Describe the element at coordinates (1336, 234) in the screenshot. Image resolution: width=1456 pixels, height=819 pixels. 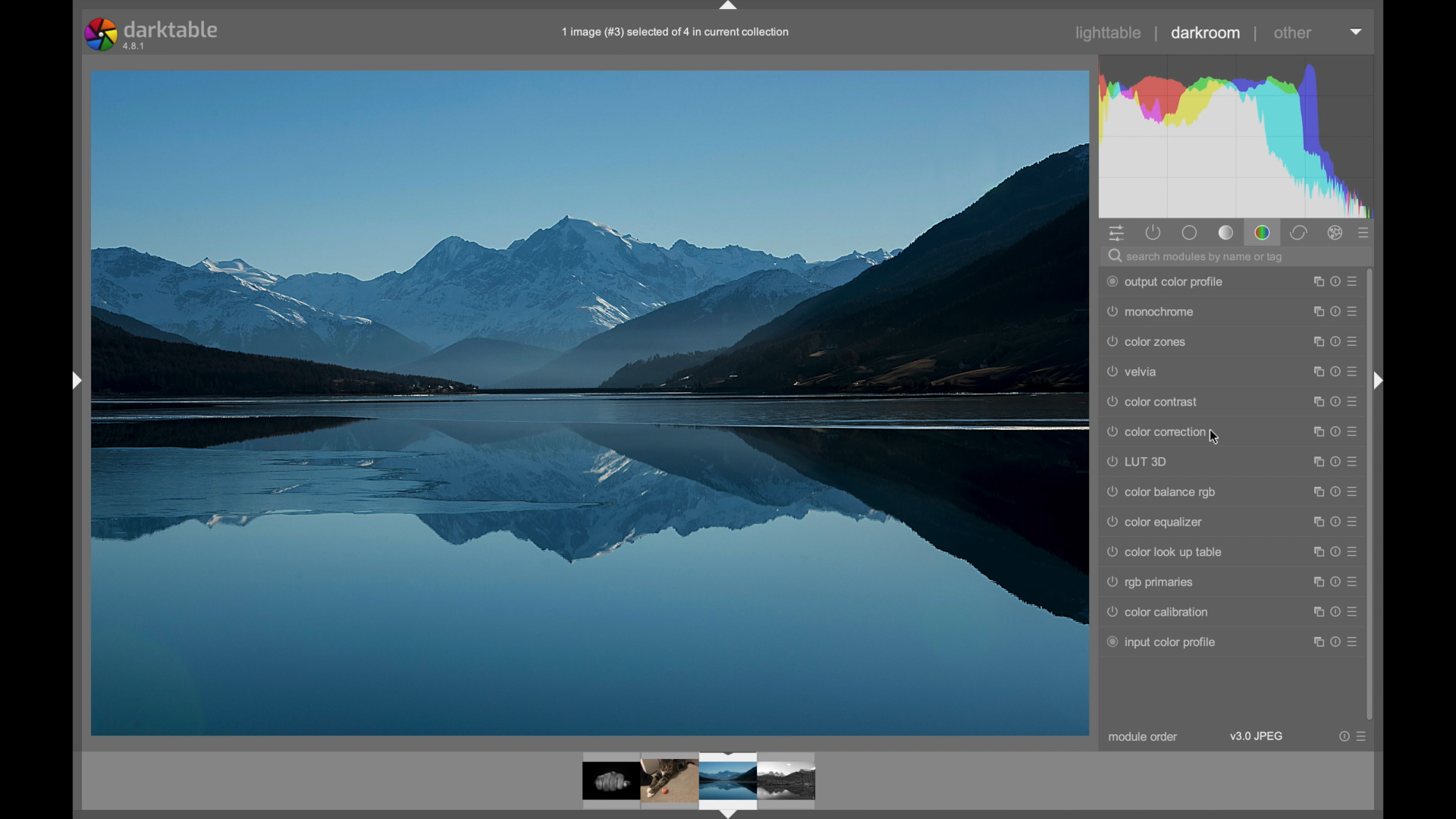
I see `effects` at that location.